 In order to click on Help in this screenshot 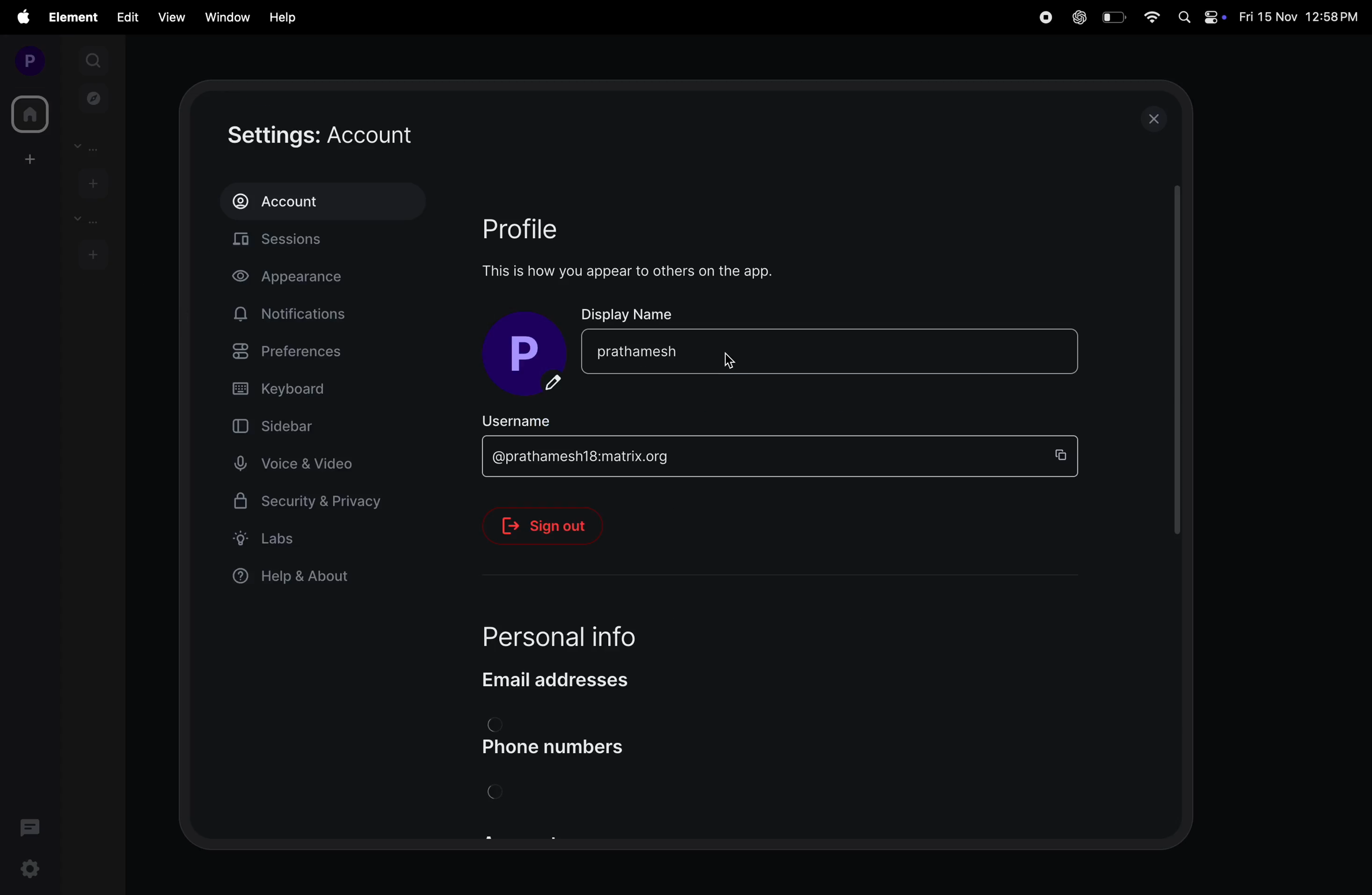, I will do `click(284, 17)`.